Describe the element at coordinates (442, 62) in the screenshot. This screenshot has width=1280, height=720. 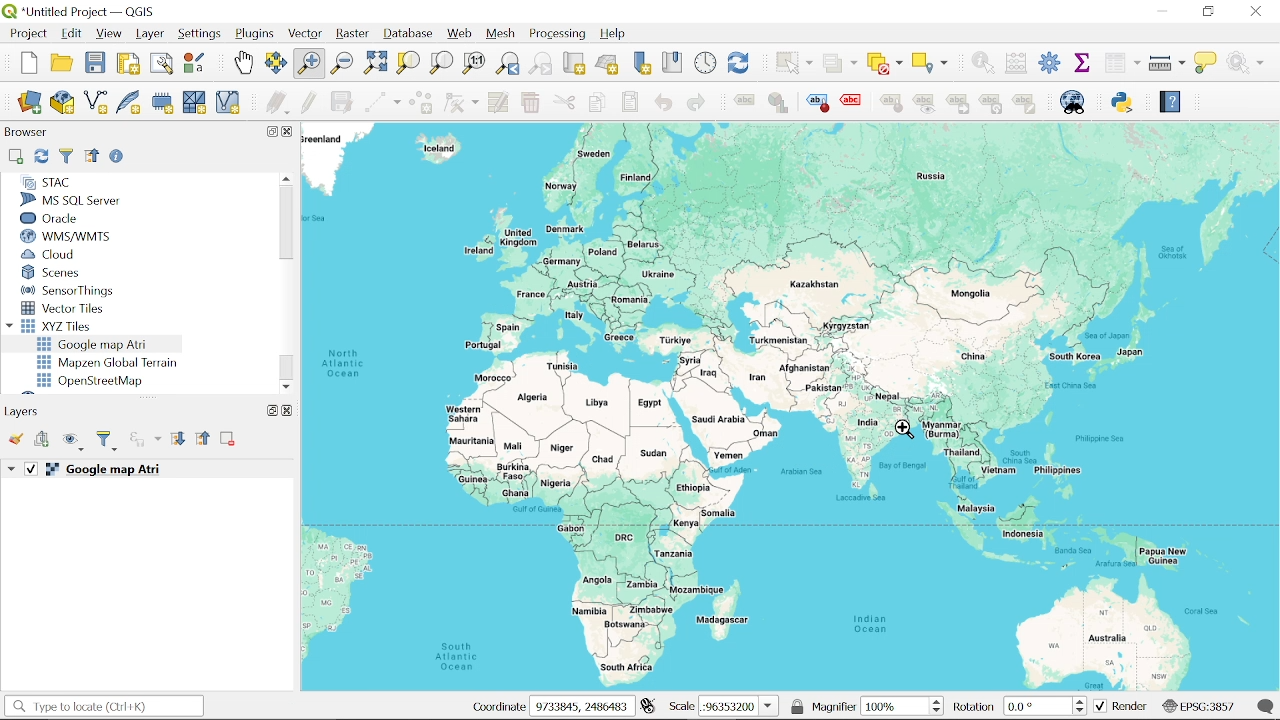
I see `Zoom to layer` at that location.